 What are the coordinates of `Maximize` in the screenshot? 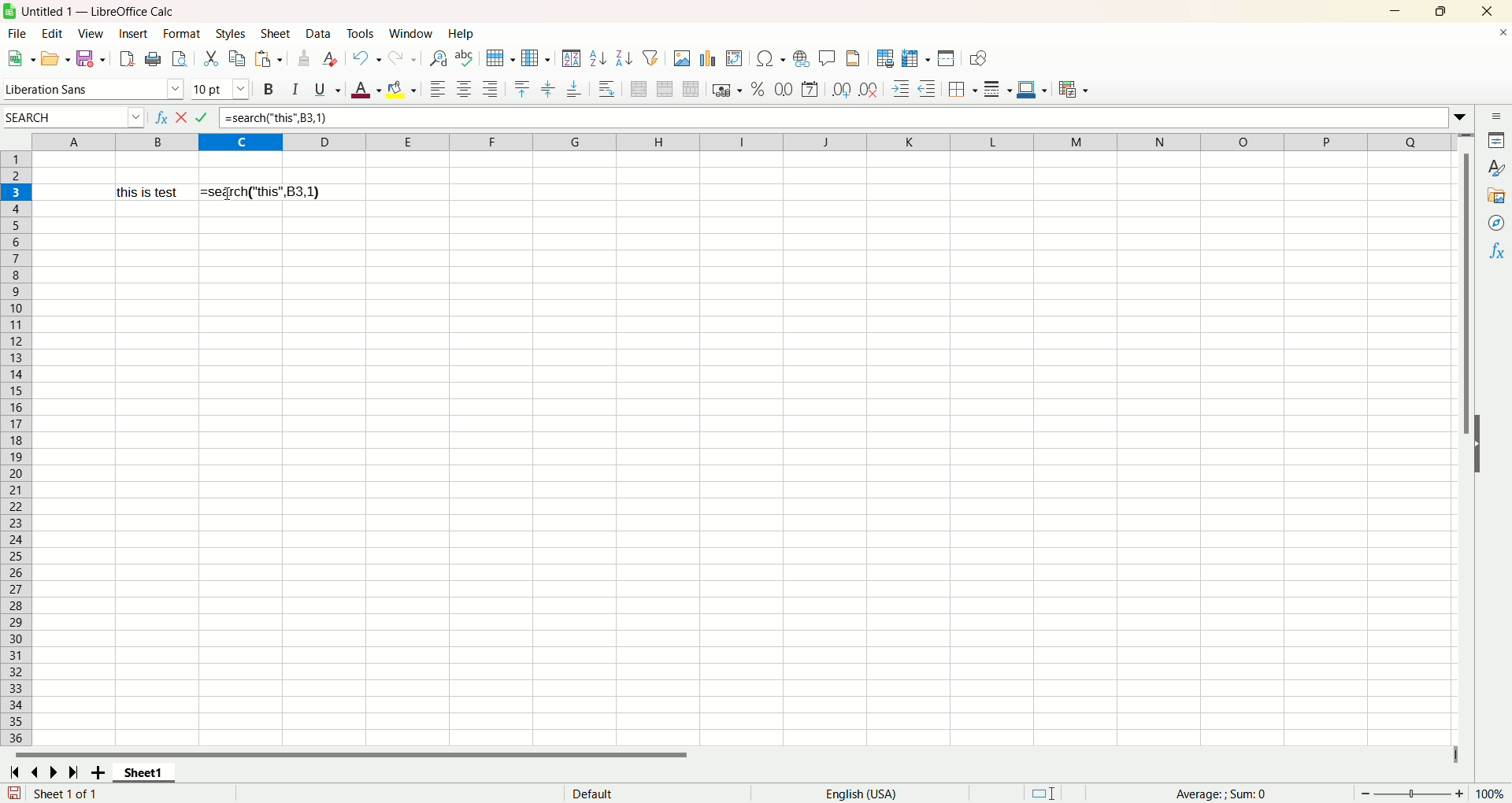 It's located at (1440, 12).